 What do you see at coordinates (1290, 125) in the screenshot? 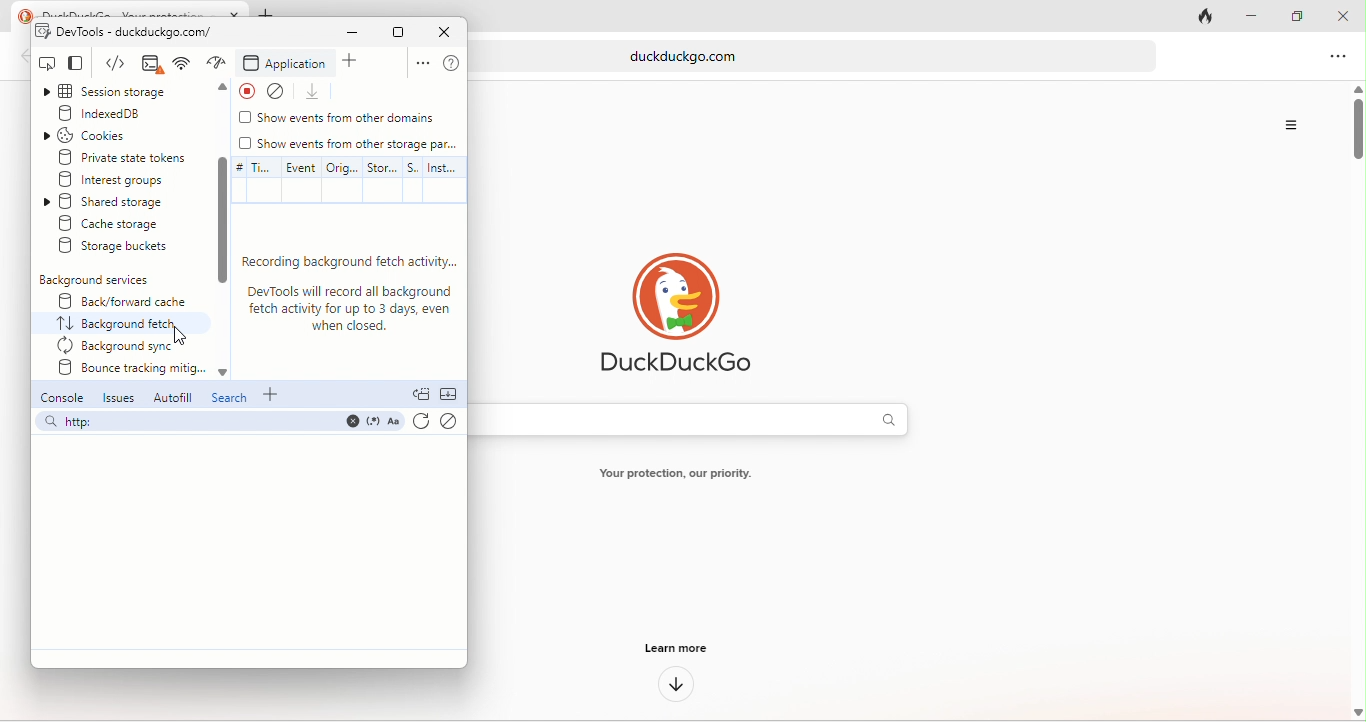
I see `Options` at bounding box center [1290, 125].